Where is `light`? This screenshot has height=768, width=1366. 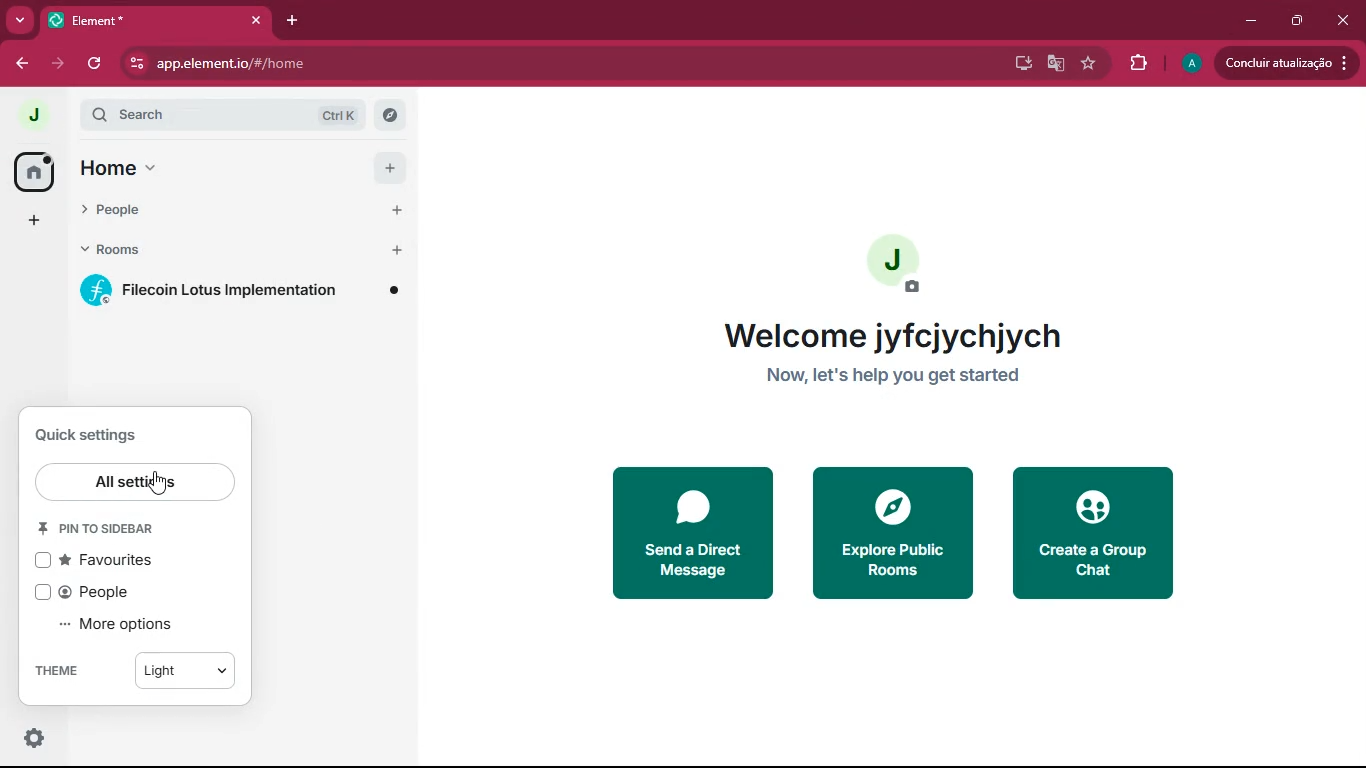
light is located at coordinates (184, 674).